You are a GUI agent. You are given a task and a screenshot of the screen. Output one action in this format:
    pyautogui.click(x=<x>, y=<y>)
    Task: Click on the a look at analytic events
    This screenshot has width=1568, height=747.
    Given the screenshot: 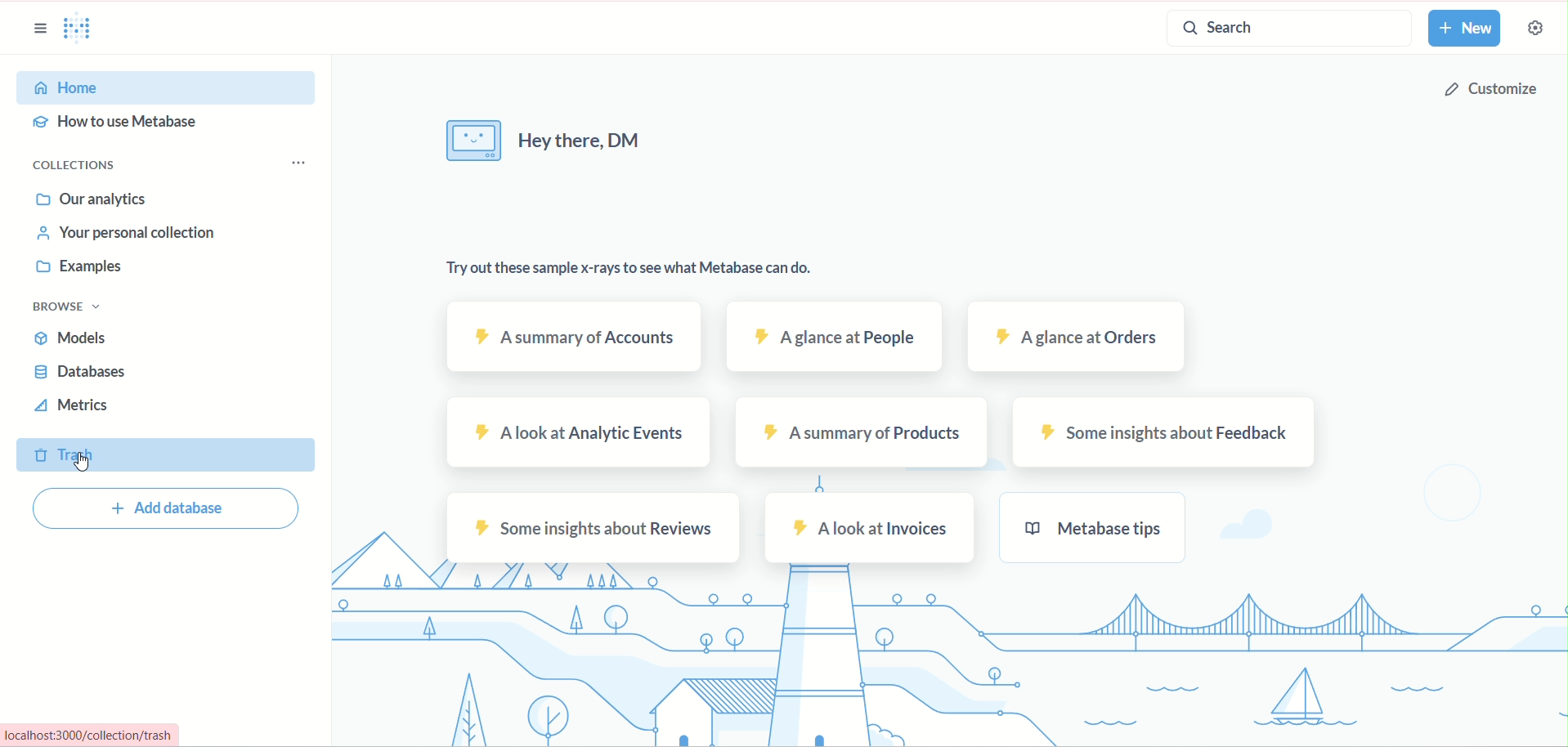 What is the action you would take?
    pyautogui.click(x=588, y=431)
    